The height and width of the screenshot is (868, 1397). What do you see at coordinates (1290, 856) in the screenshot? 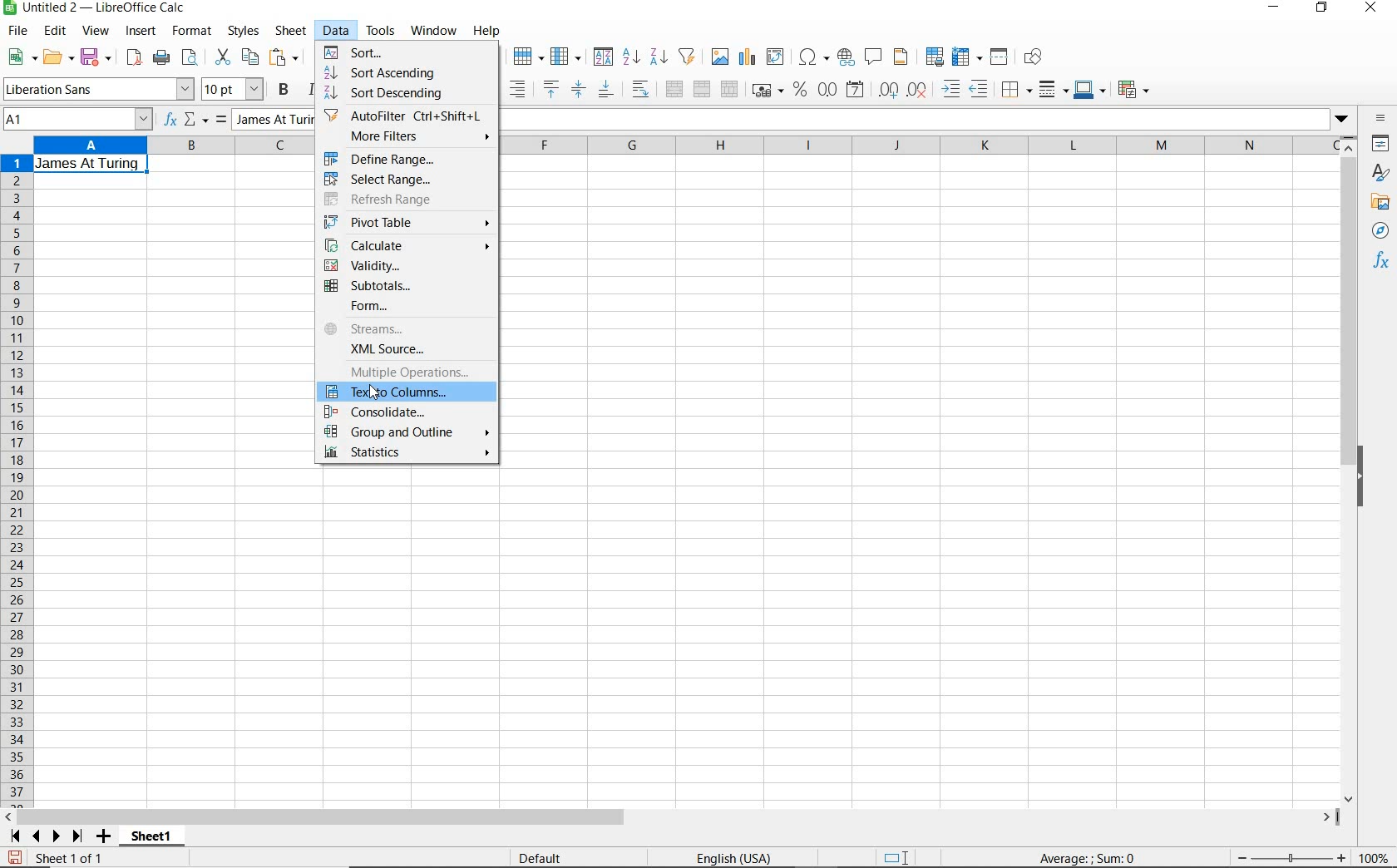
I see `zoom out or zoom in` at bounding box center [1290, 856].